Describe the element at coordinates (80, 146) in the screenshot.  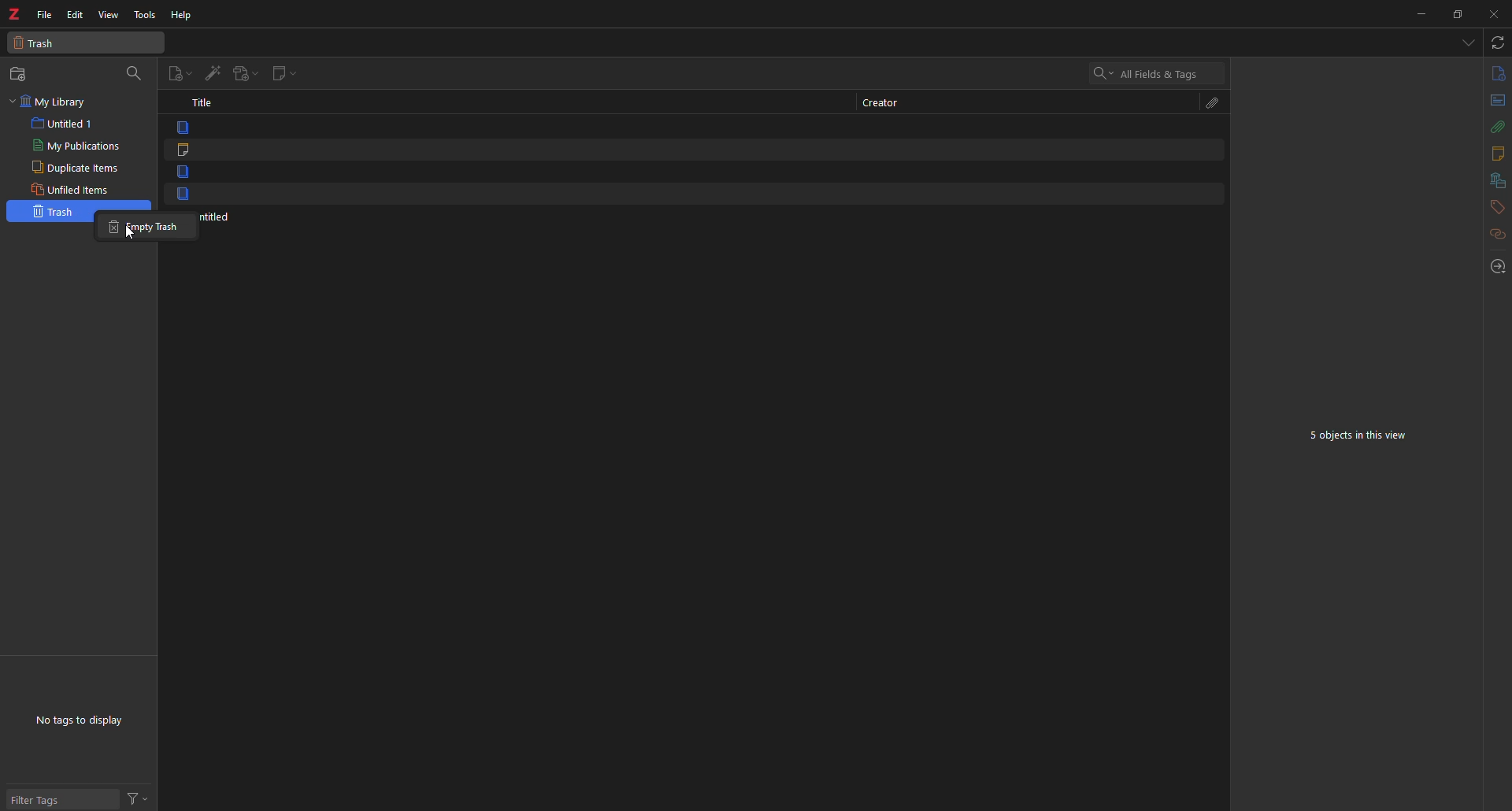
I see `my pubications` at that location.